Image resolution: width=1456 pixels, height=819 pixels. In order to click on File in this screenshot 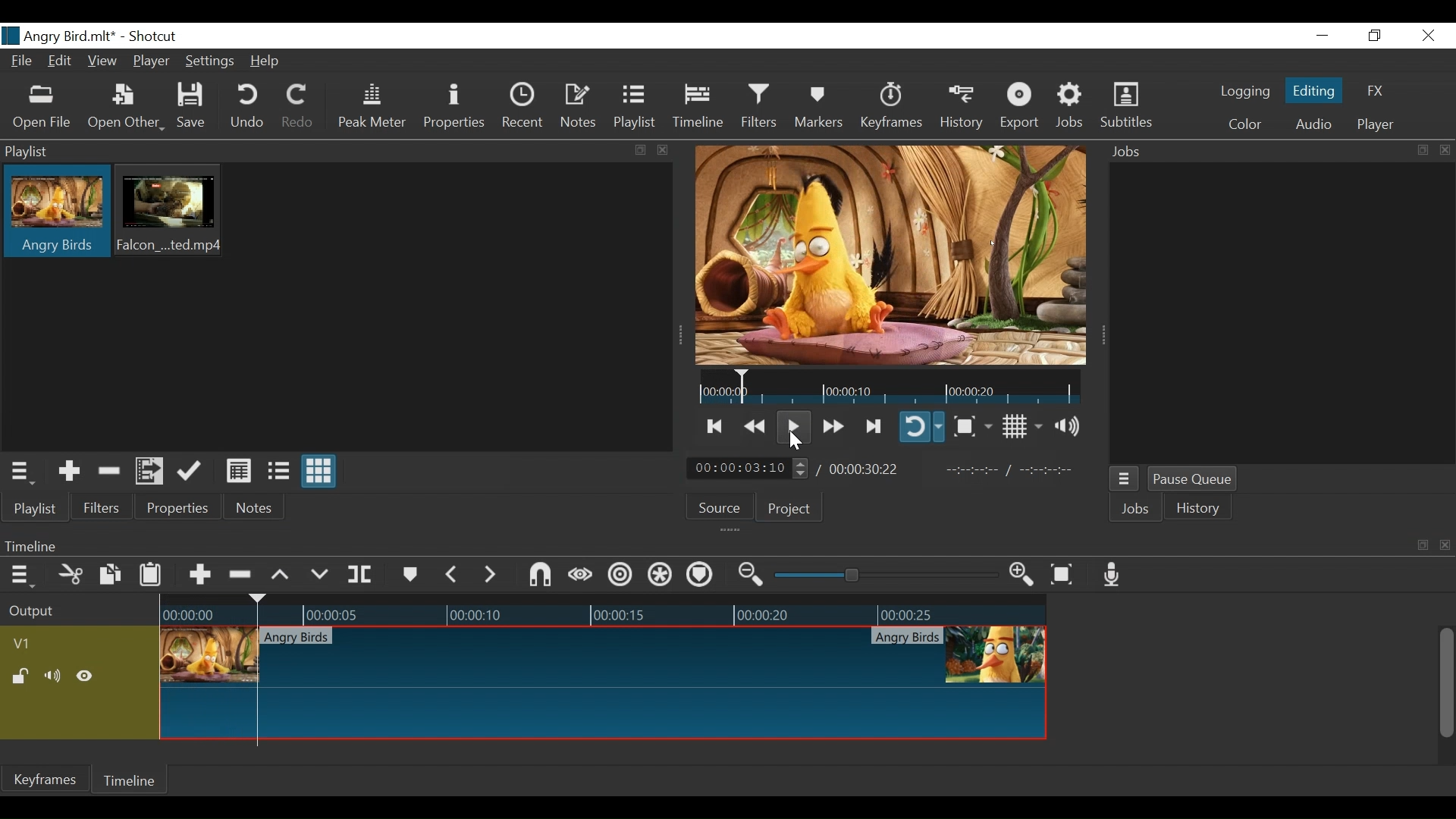, I will do `click(25, 62)`.